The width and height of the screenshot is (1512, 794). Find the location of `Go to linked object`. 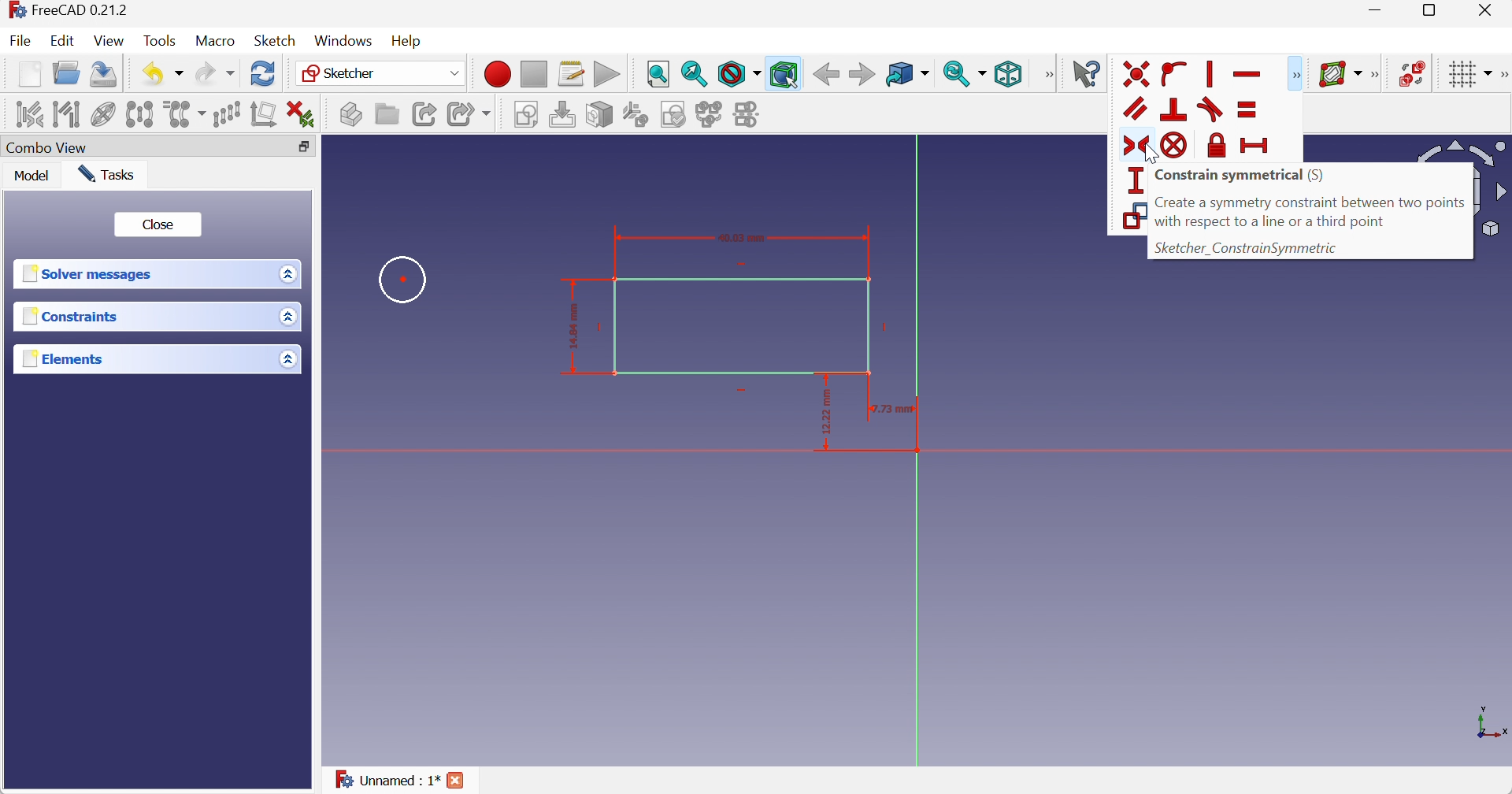

Go to linked object is located at coordinates (907, 75).